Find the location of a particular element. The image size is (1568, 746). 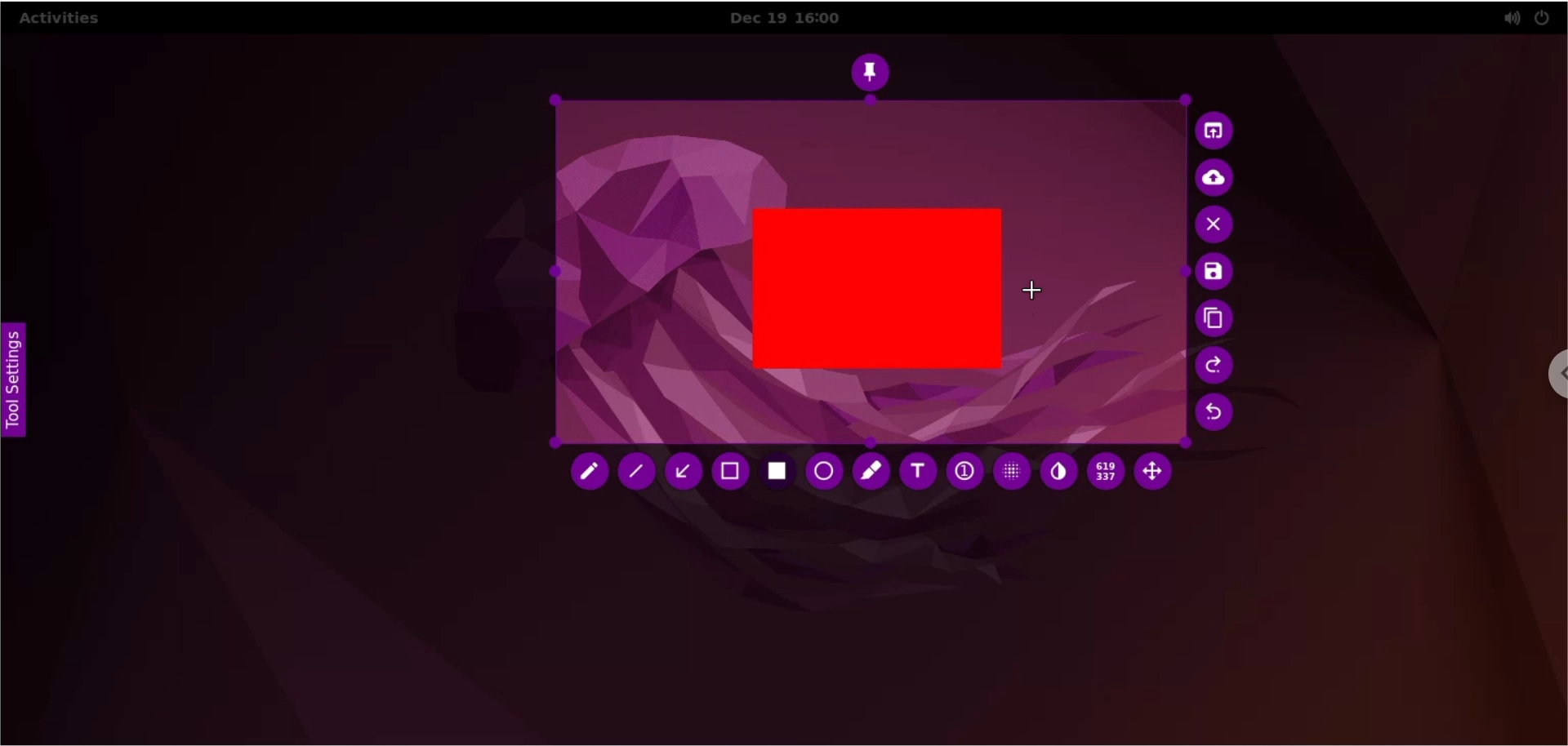

chrome options is located at coordinates (1540, 383).